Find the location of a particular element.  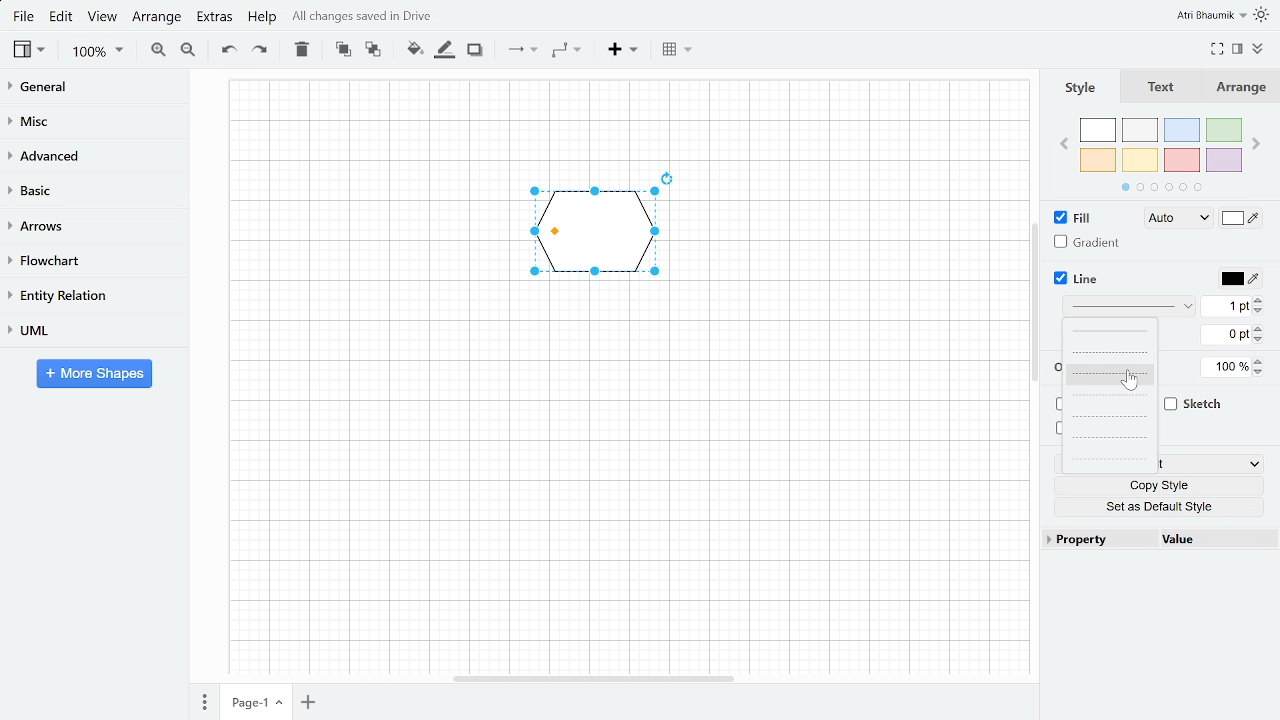

Collapse is located at coordinates (1261, 48).